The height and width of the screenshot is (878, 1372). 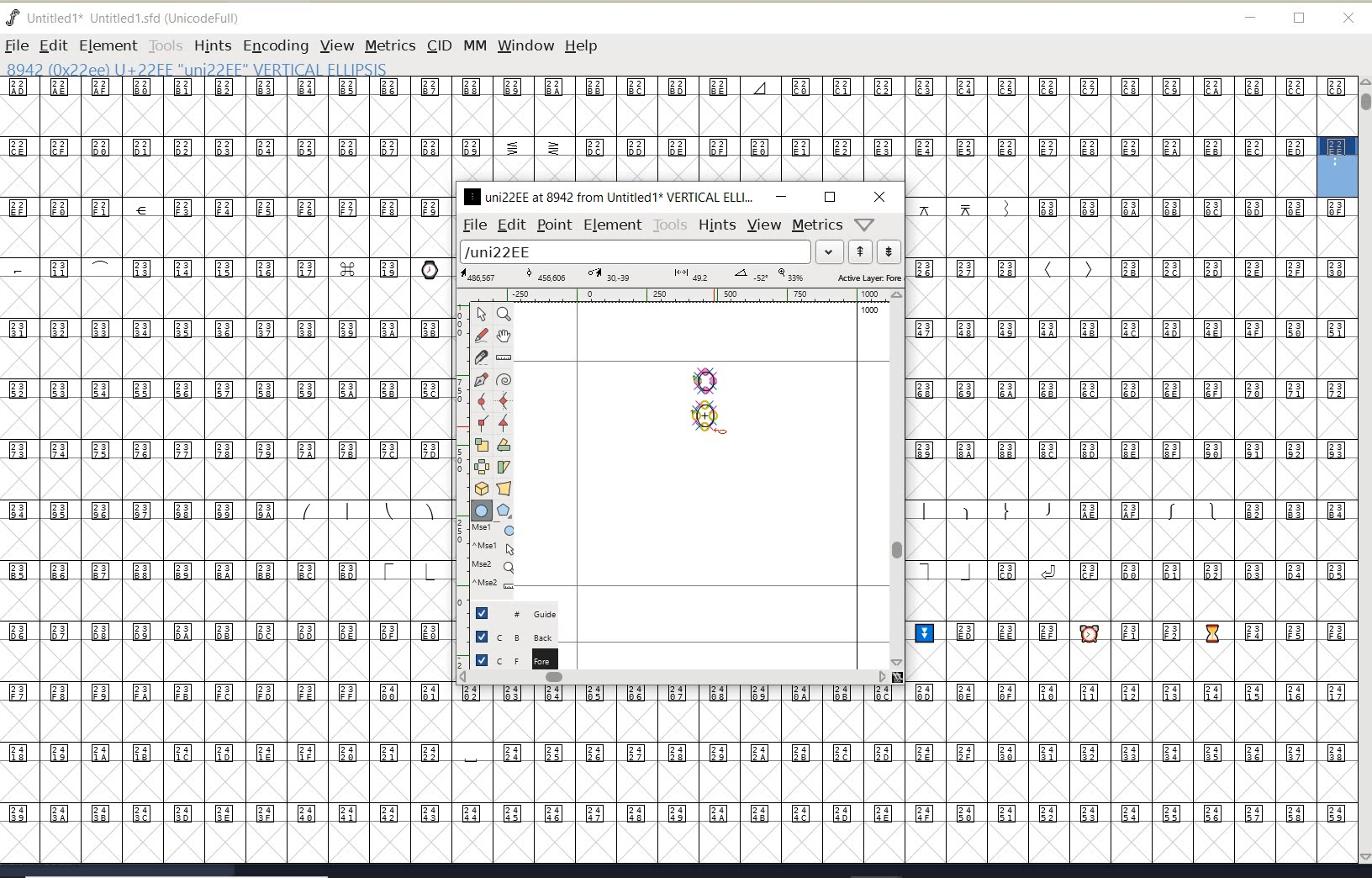 What do you see at coordinates (510, 224) in the screenshot?
I see `edit` at bounding box center [510, 224].